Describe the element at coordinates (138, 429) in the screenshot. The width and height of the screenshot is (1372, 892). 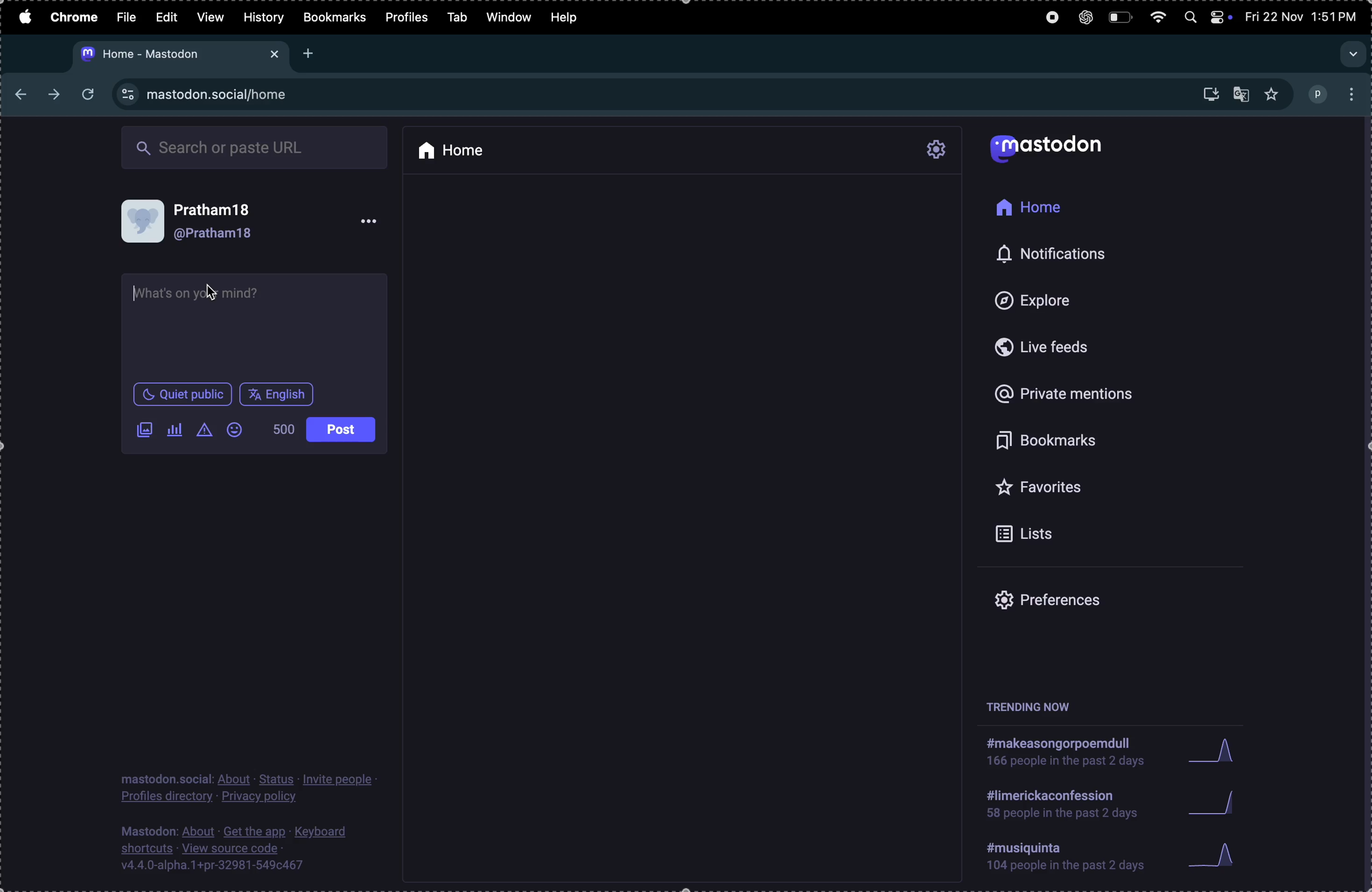
I see `add image` at that location.